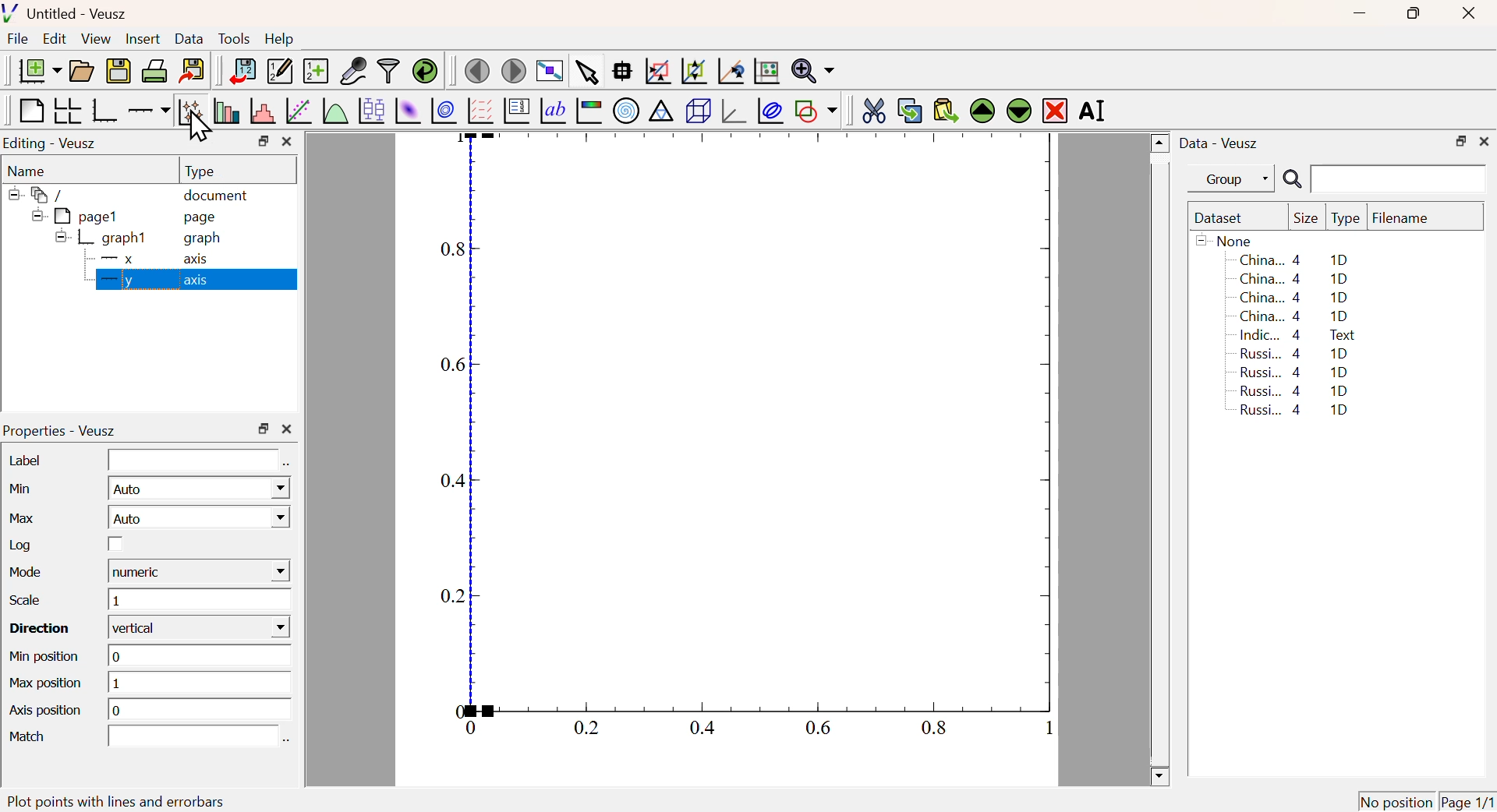  Describe the element at coordinates (589, 111) in the screenshot. I see `Image Color bar` at that location.